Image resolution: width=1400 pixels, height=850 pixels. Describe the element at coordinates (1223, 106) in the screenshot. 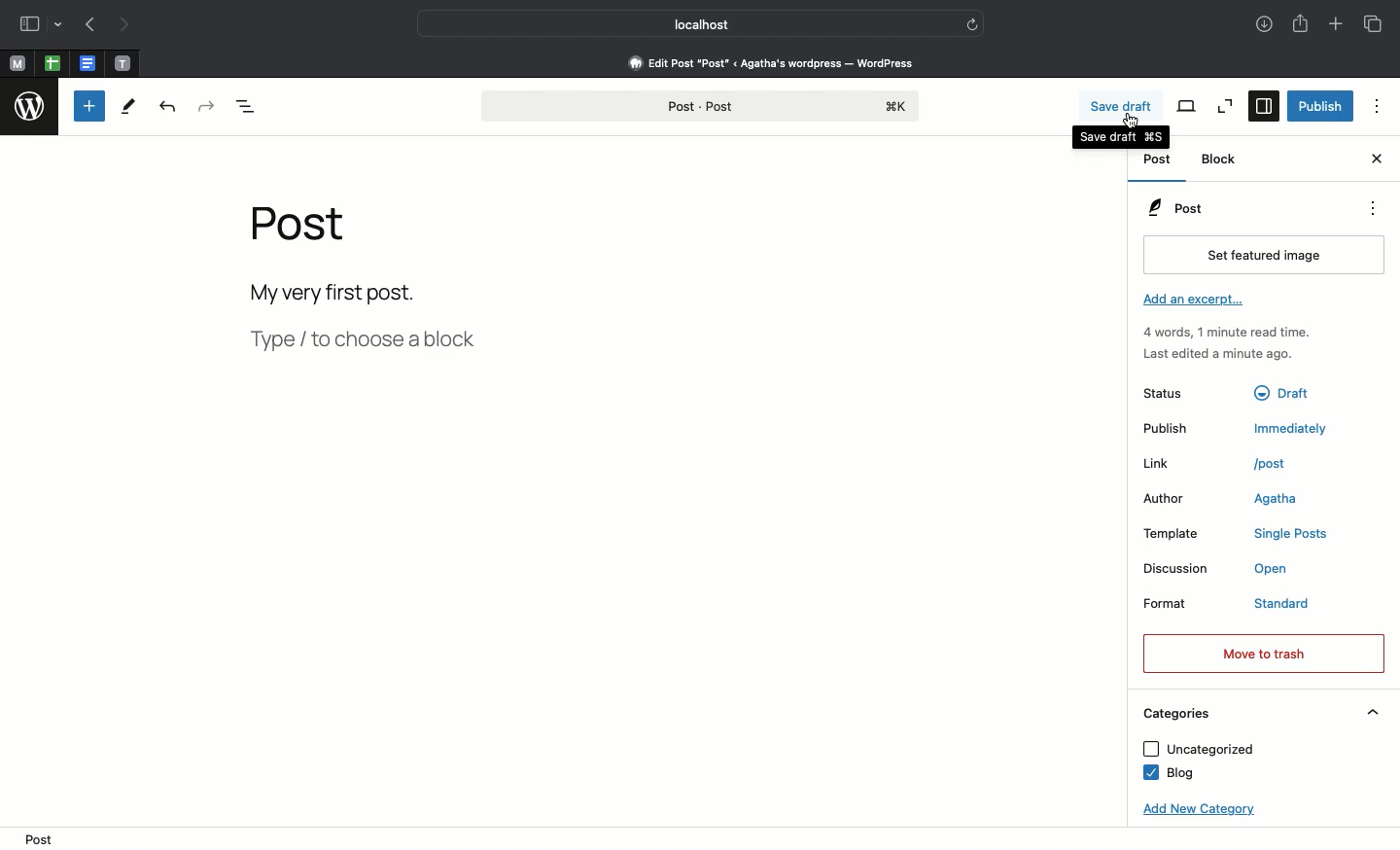

I see `Maximize` at that location.